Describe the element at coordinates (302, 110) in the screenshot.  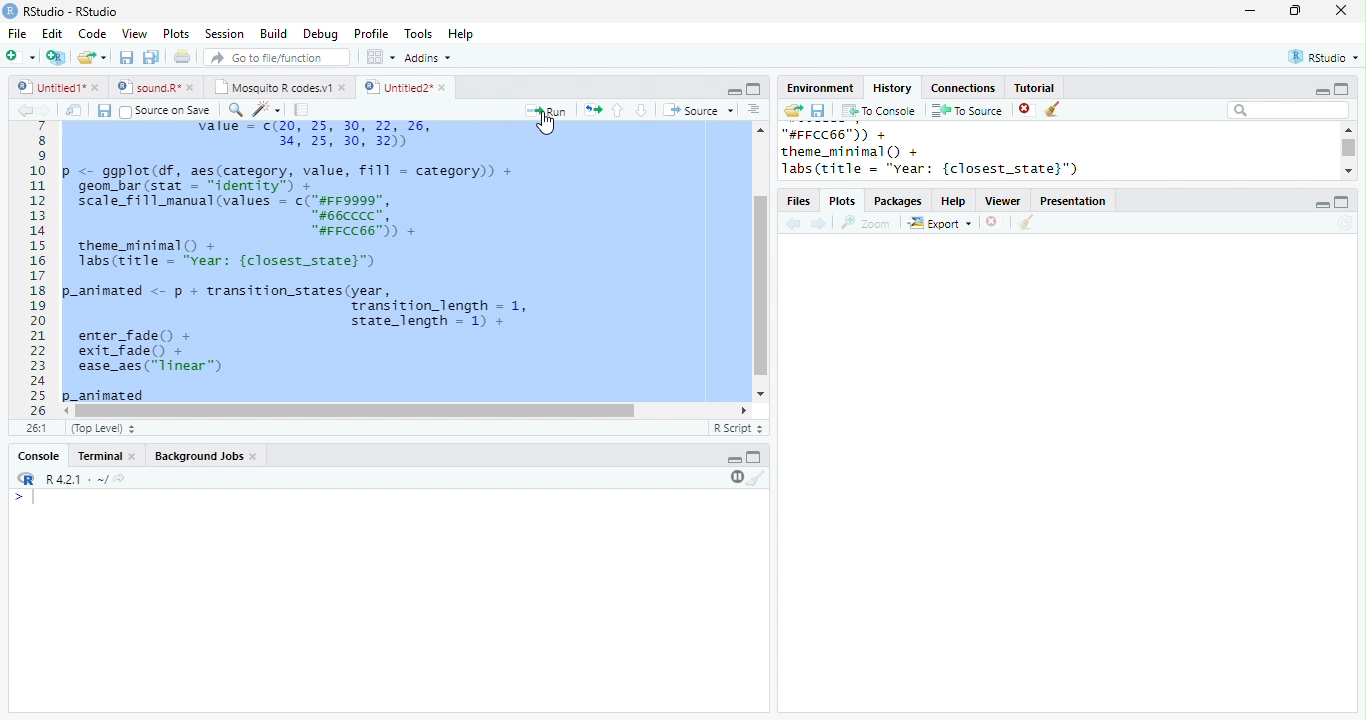
I see `compile report` at that location.